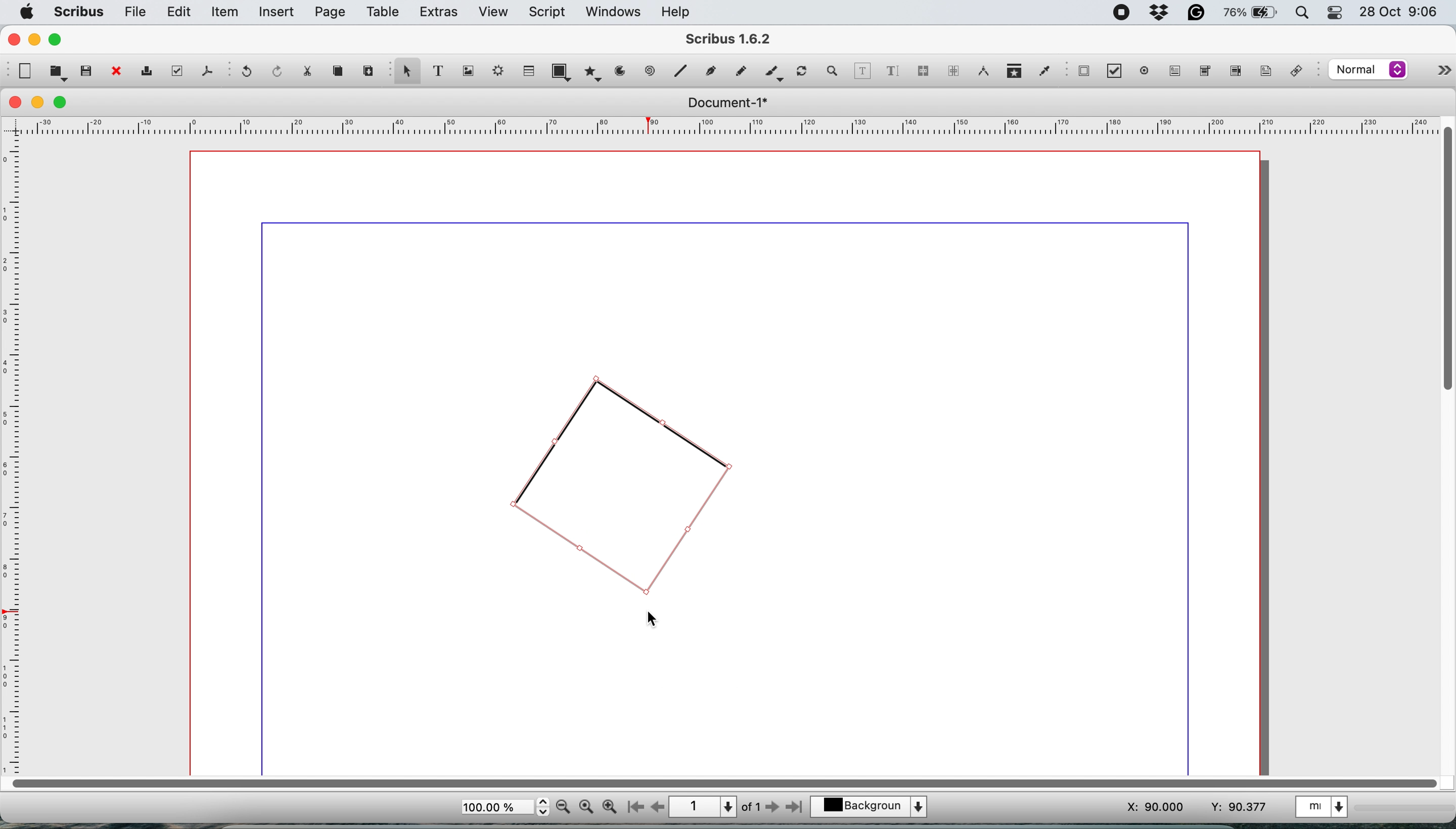 This screenshot has width=1456, height=829. I want to click on unlink text frames, so click(953, 72).